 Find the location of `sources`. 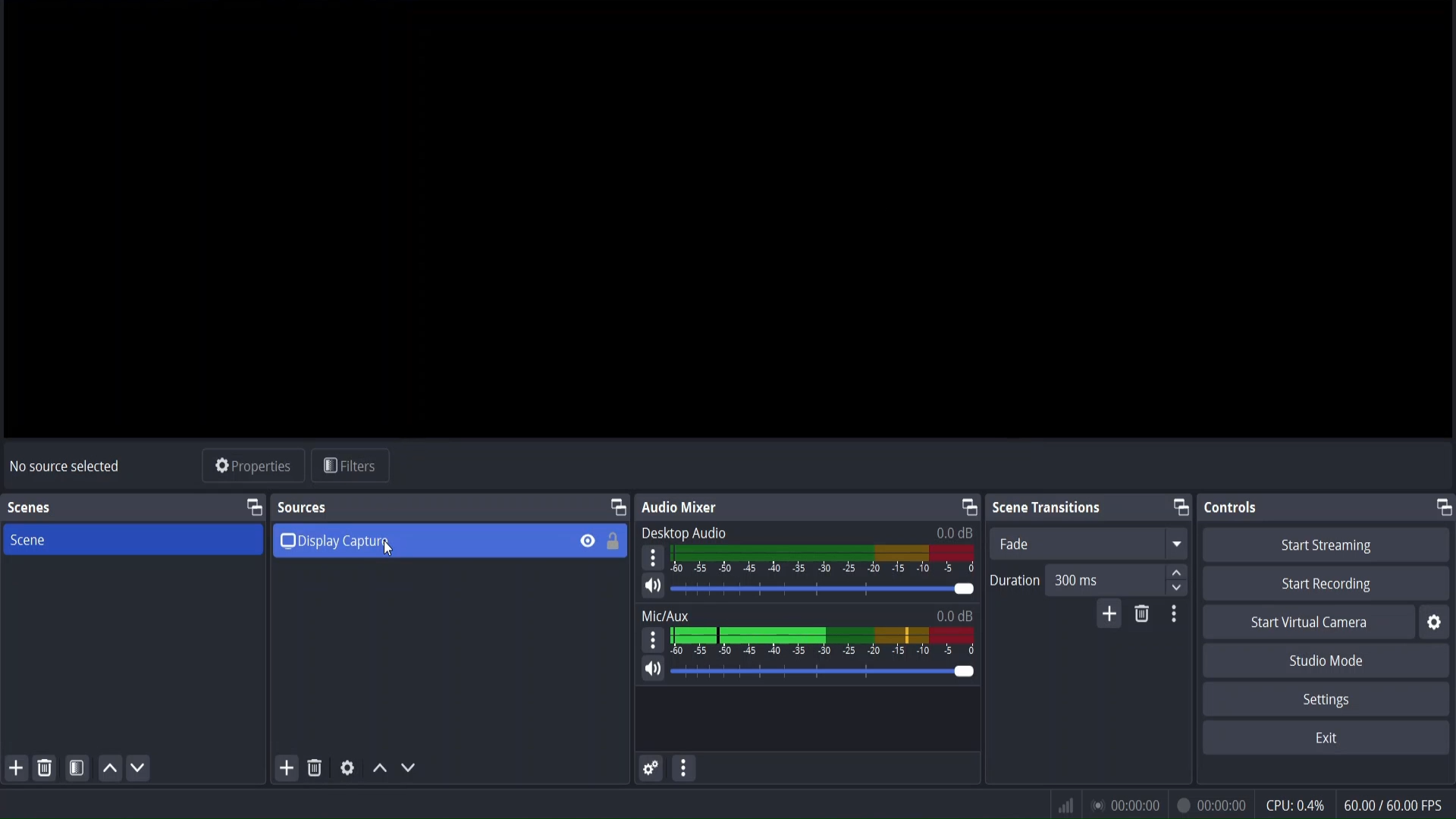

sources is located at coordinates (303, 508).